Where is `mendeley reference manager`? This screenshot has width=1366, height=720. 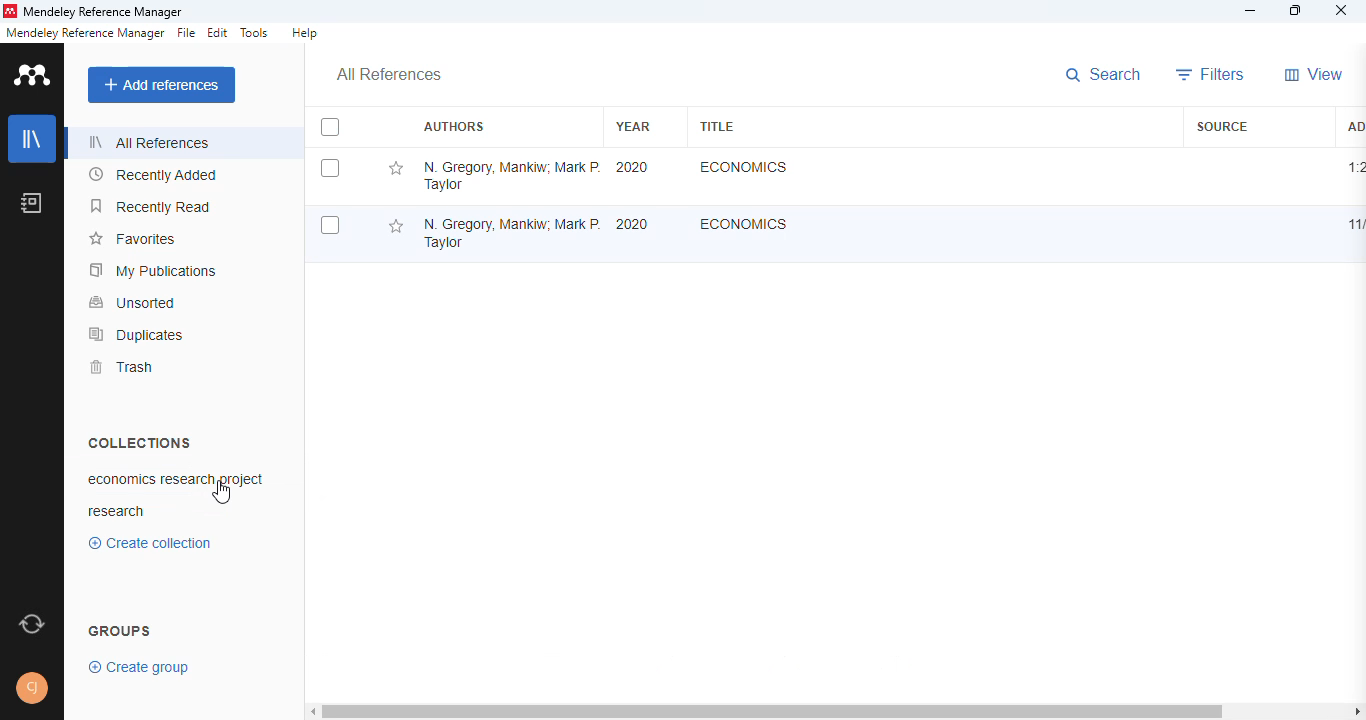 mendeley reference manager is located at coordinates (103, 13).